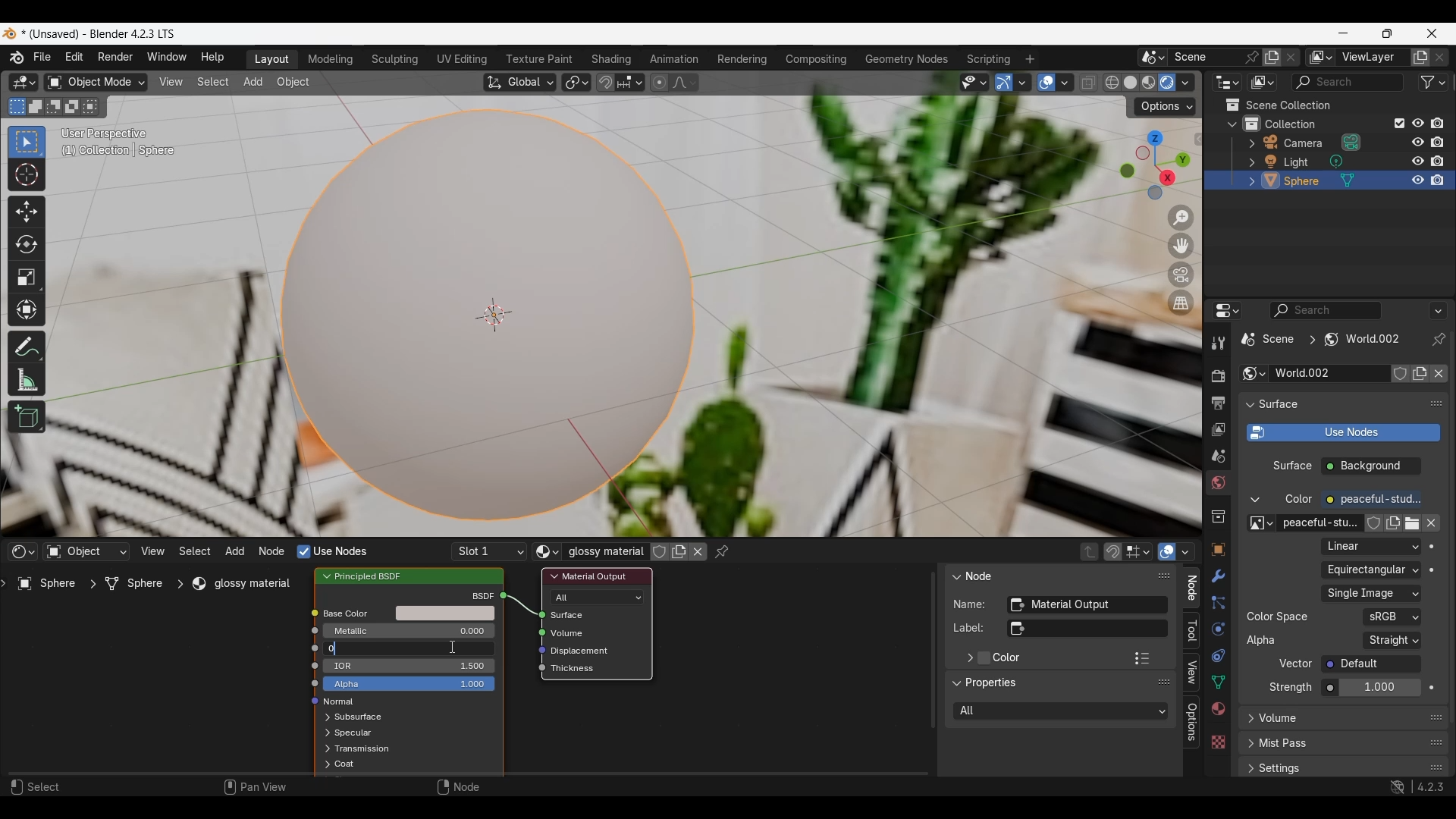 The image size is (1456, 819). Describe the element at coordinates (595, 576) in the screenshot. I see `material output` at that location.